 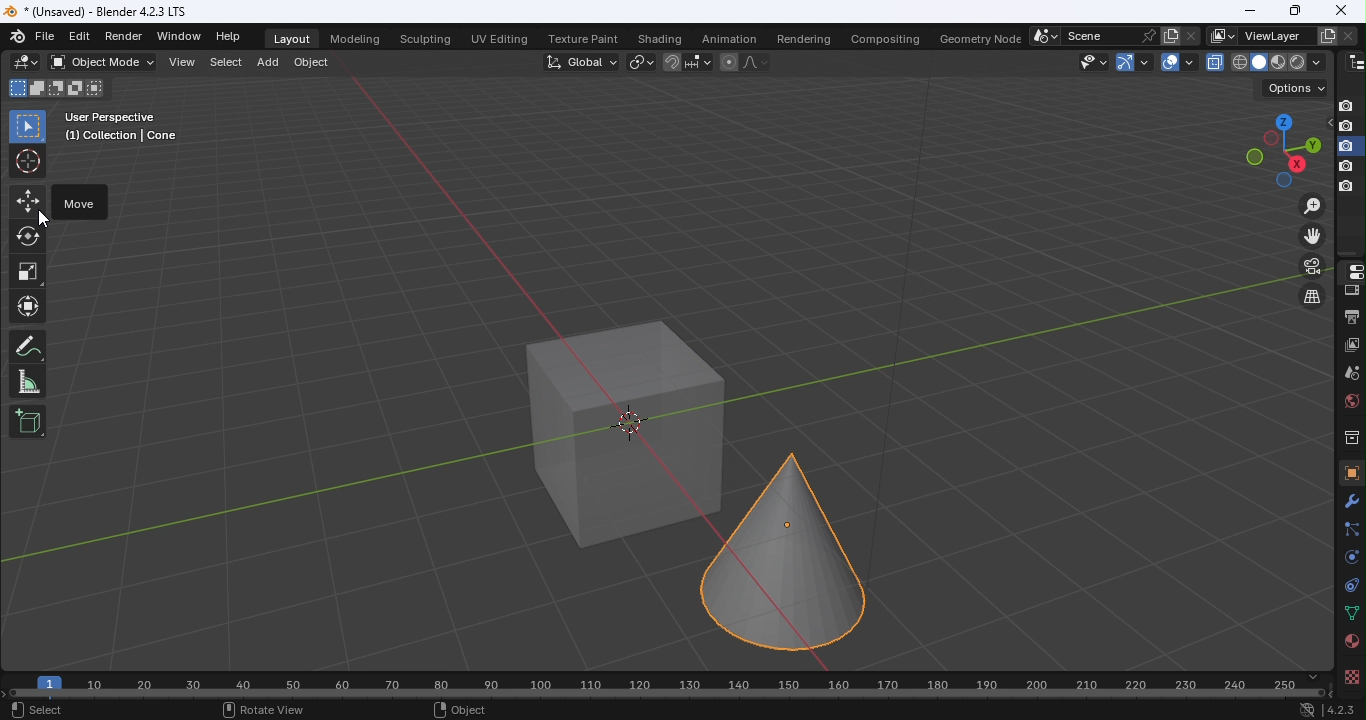 I want to click on Texture paint, so click(x=585, y=40).